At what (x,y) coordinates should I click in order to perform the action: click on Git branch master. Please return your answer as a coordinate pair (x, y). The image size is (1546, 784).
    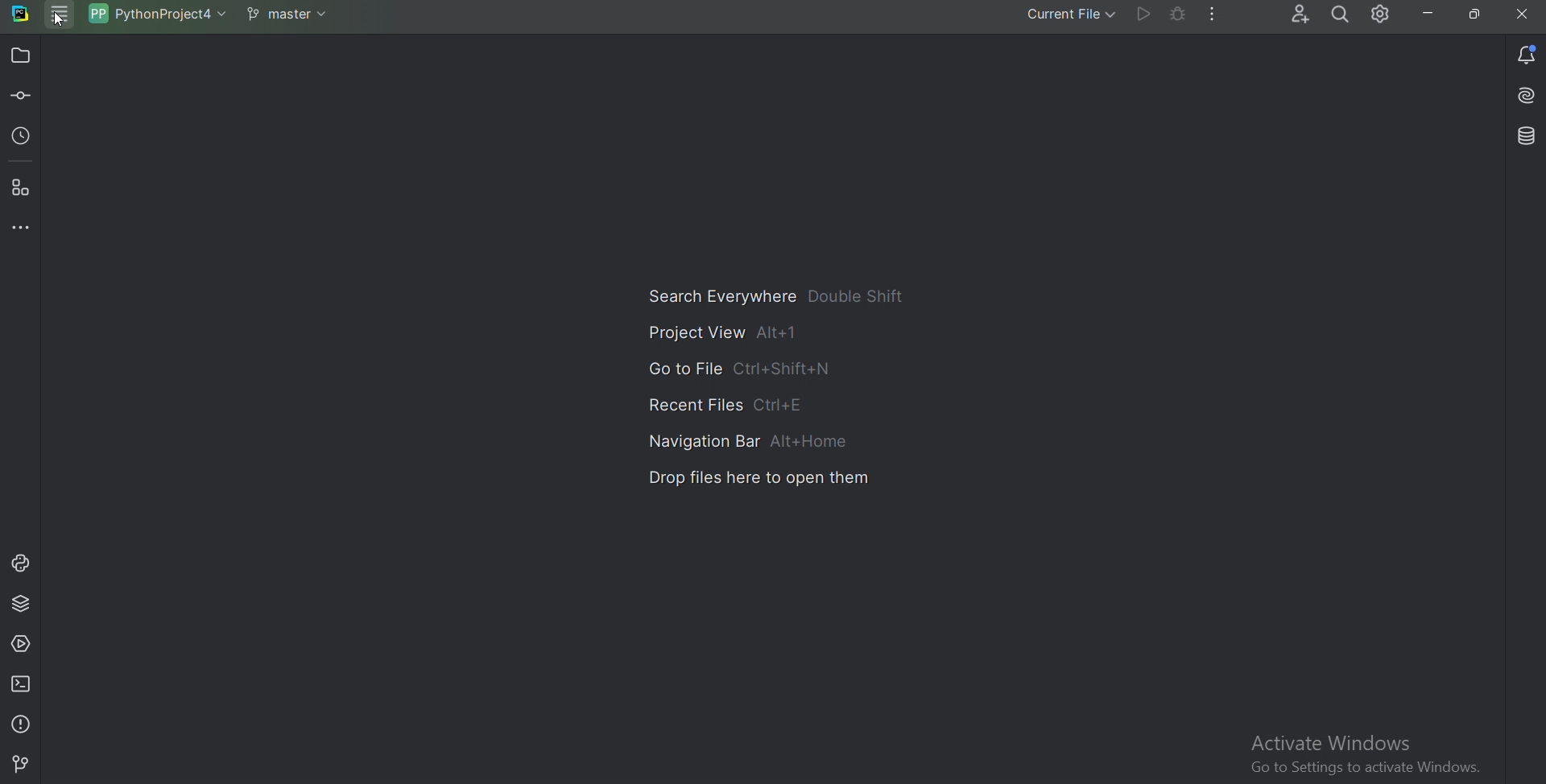
    Looking at the image, I should click on (291, 15).